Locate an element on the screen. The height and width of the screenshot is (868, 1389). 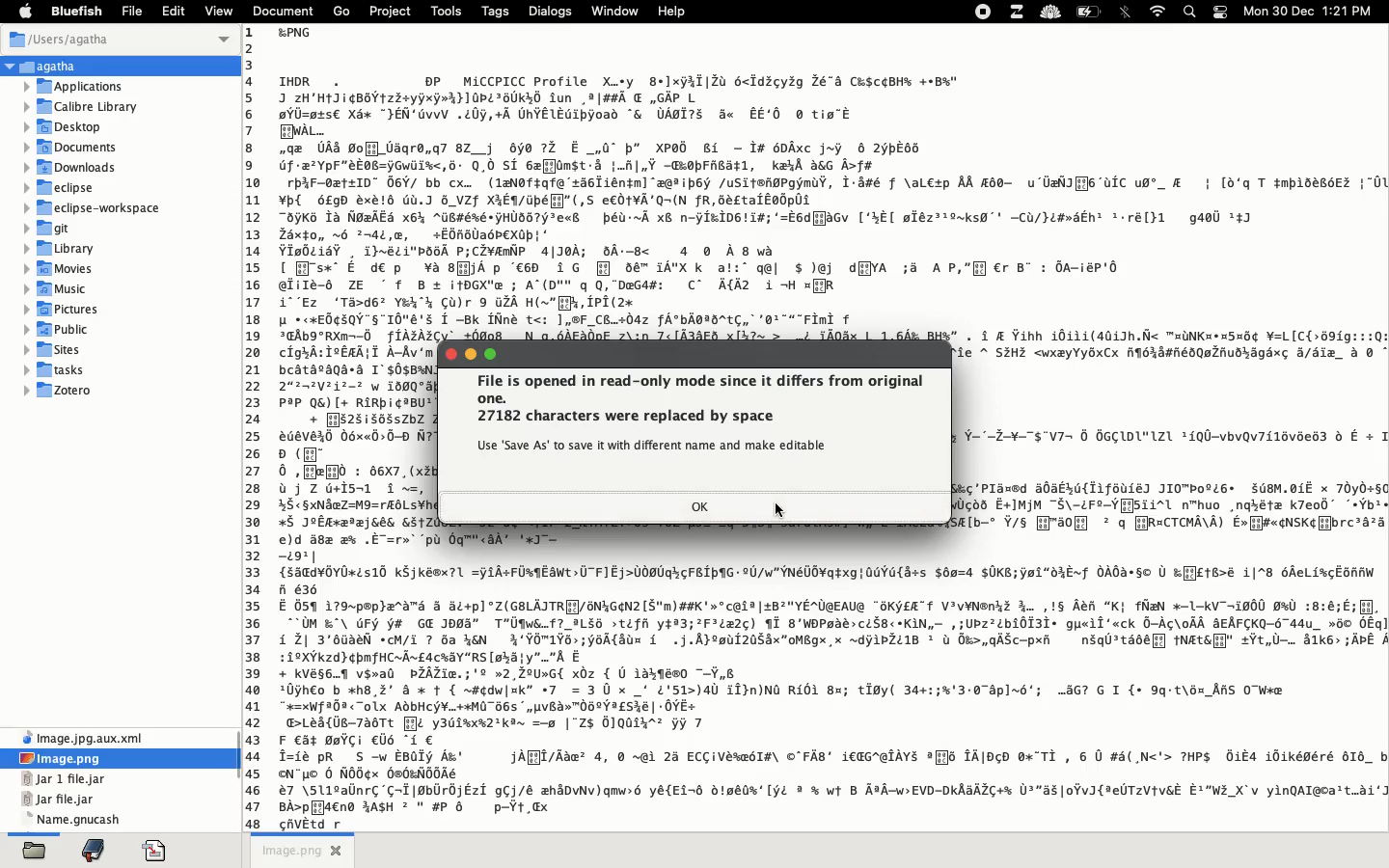
untitled is located at coordinates (288, 851).